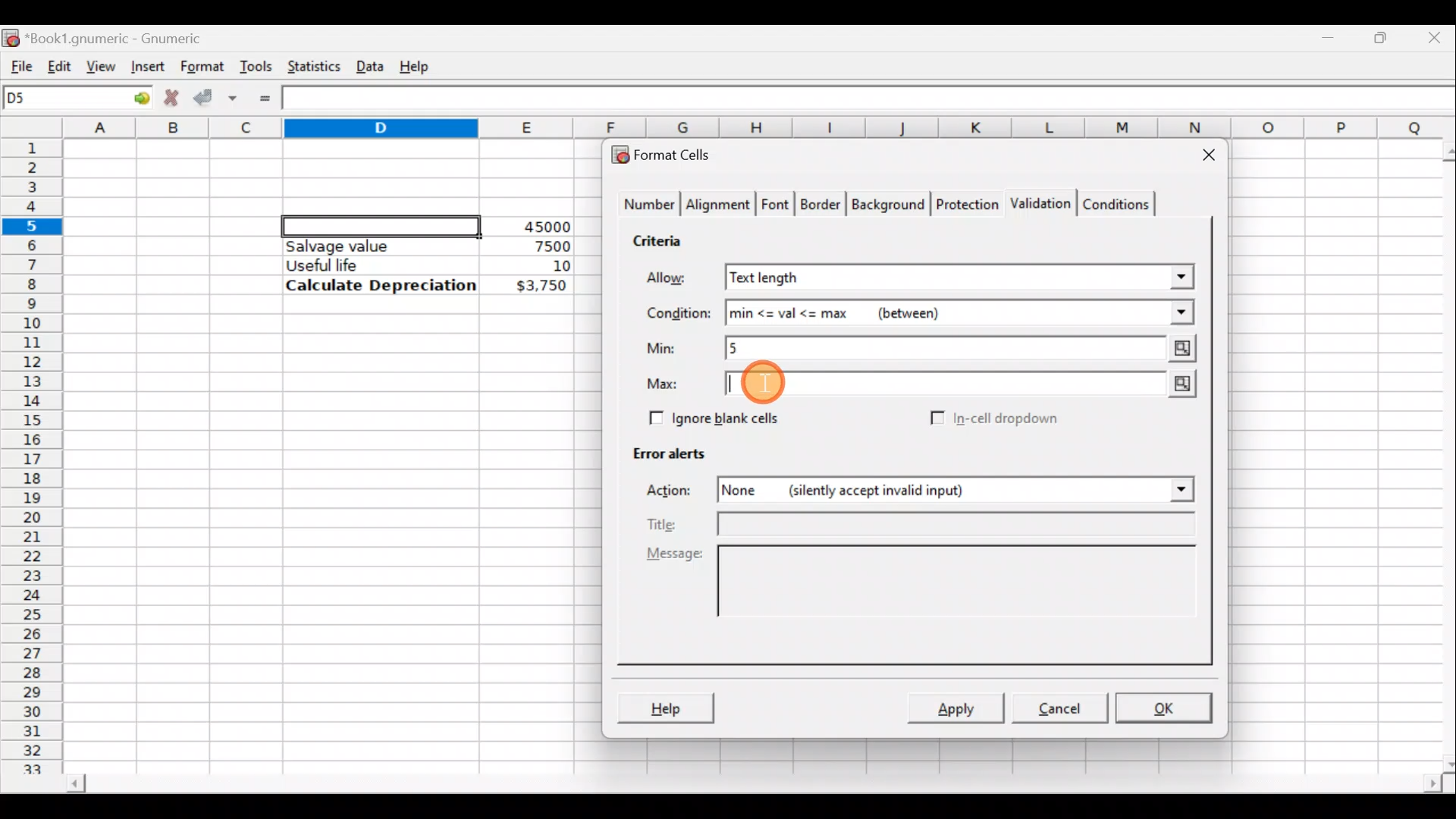 The image size is (1456, 819). I want to click on Cell name D5, so click(59, 99).